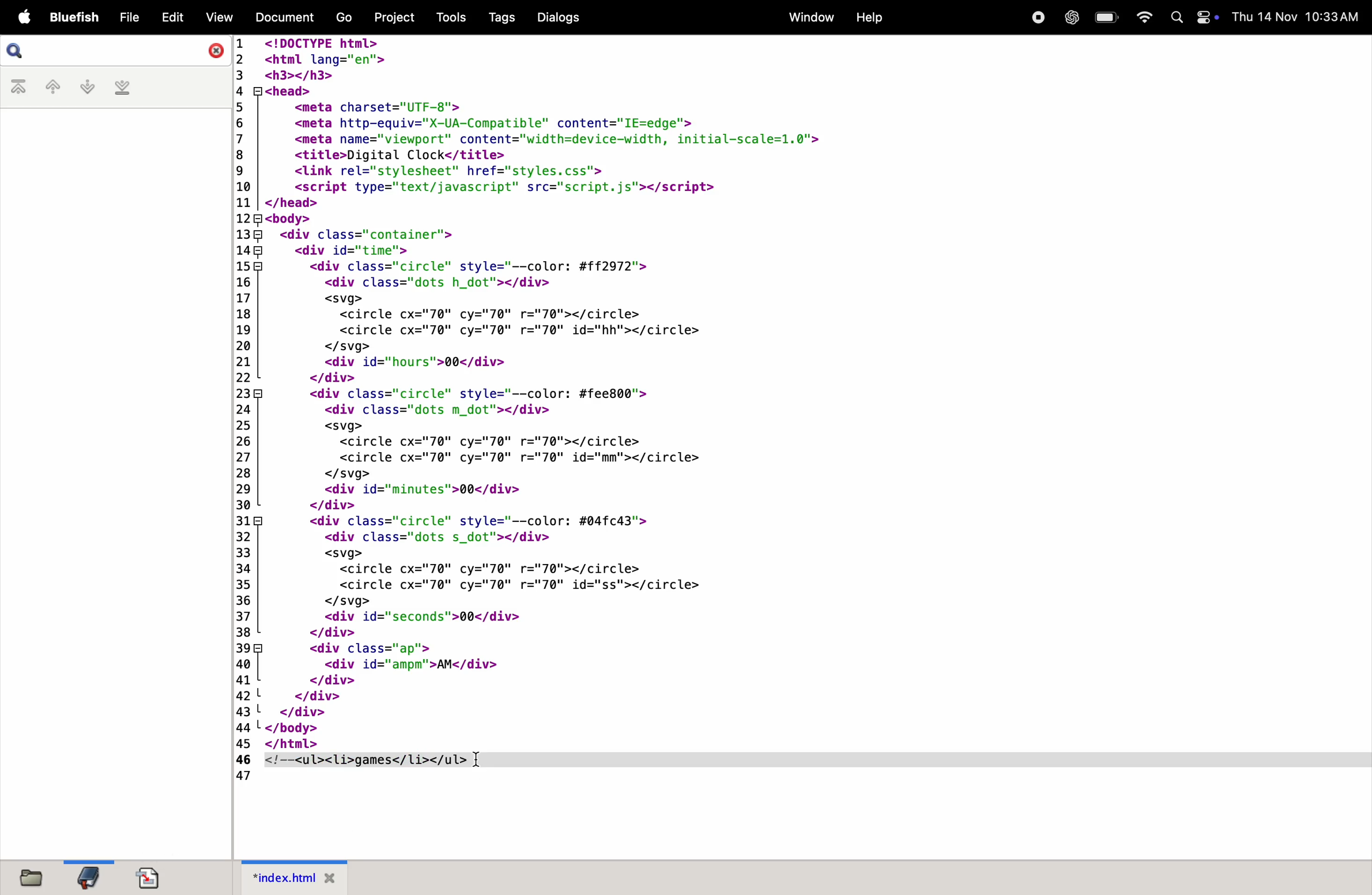 The width and height of the screenshot is (1372, 895). What do you see at coordinates (1143, 16) in the screenshot?
I see `wifi` at bounding box center [1143, 16].